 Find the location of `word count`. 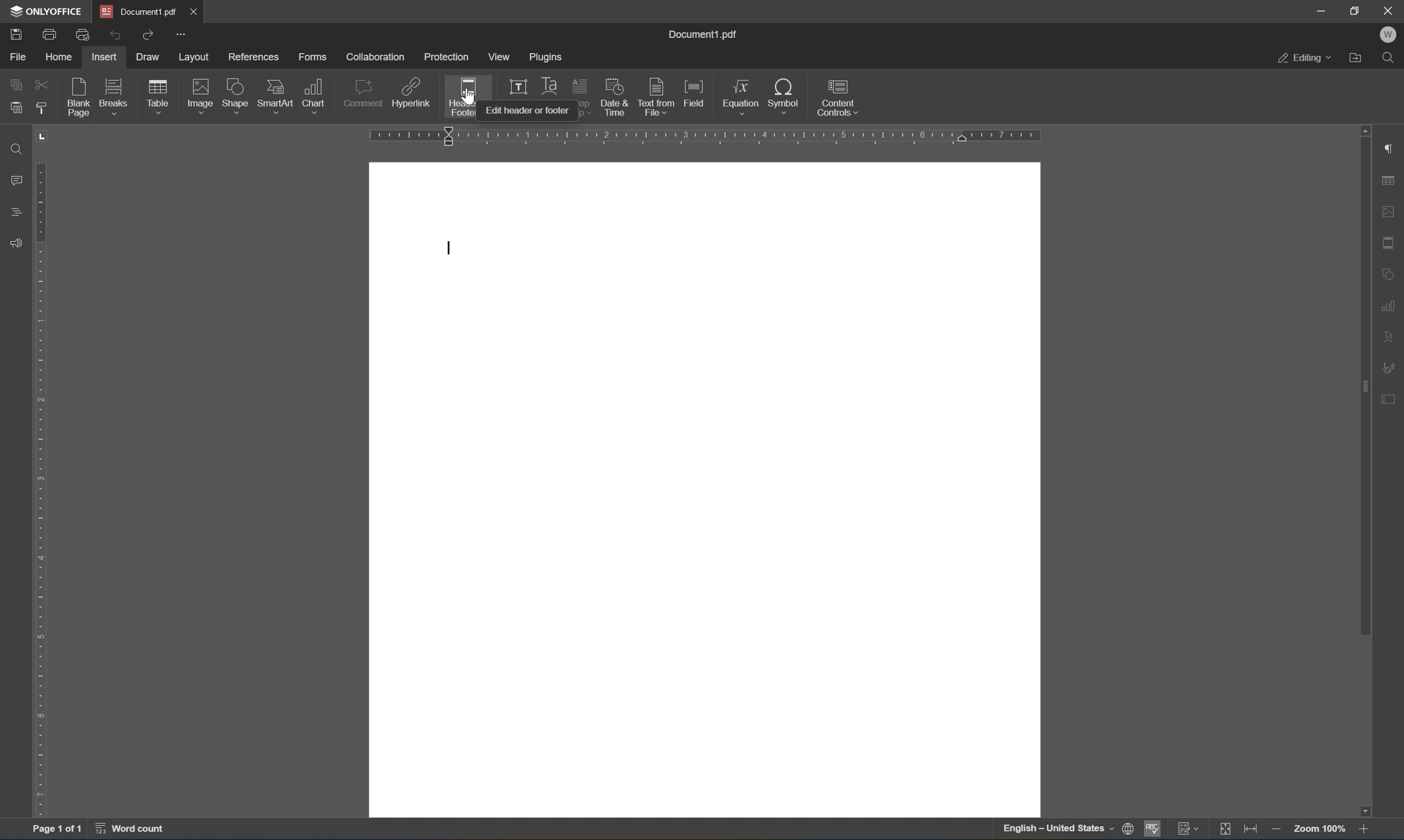

word count is located at coordinates (136, 829).